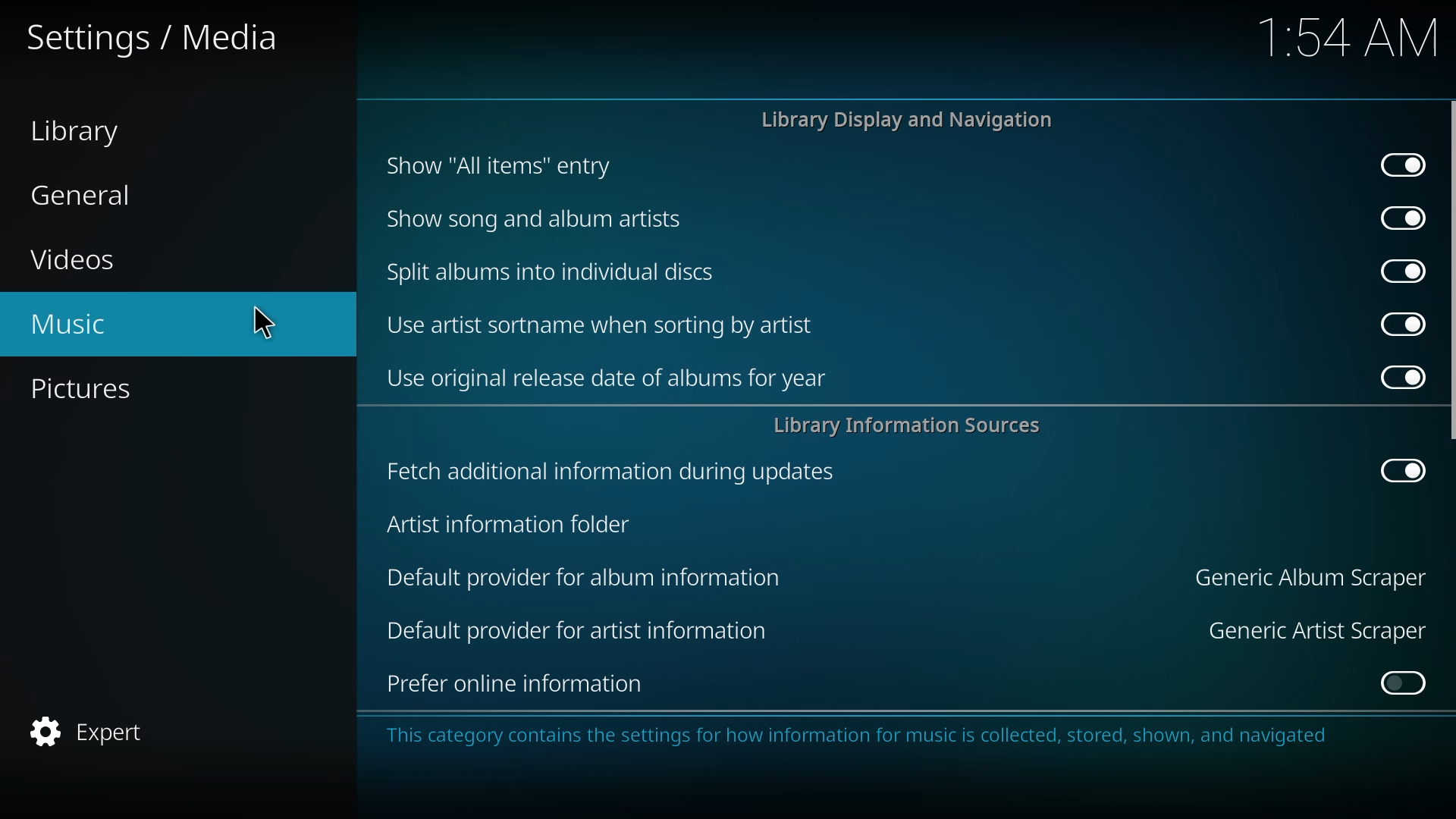  What do you see at coordinates (83, 391) in the screenshot?
I see `pictures` at bounding box center [83, 391].